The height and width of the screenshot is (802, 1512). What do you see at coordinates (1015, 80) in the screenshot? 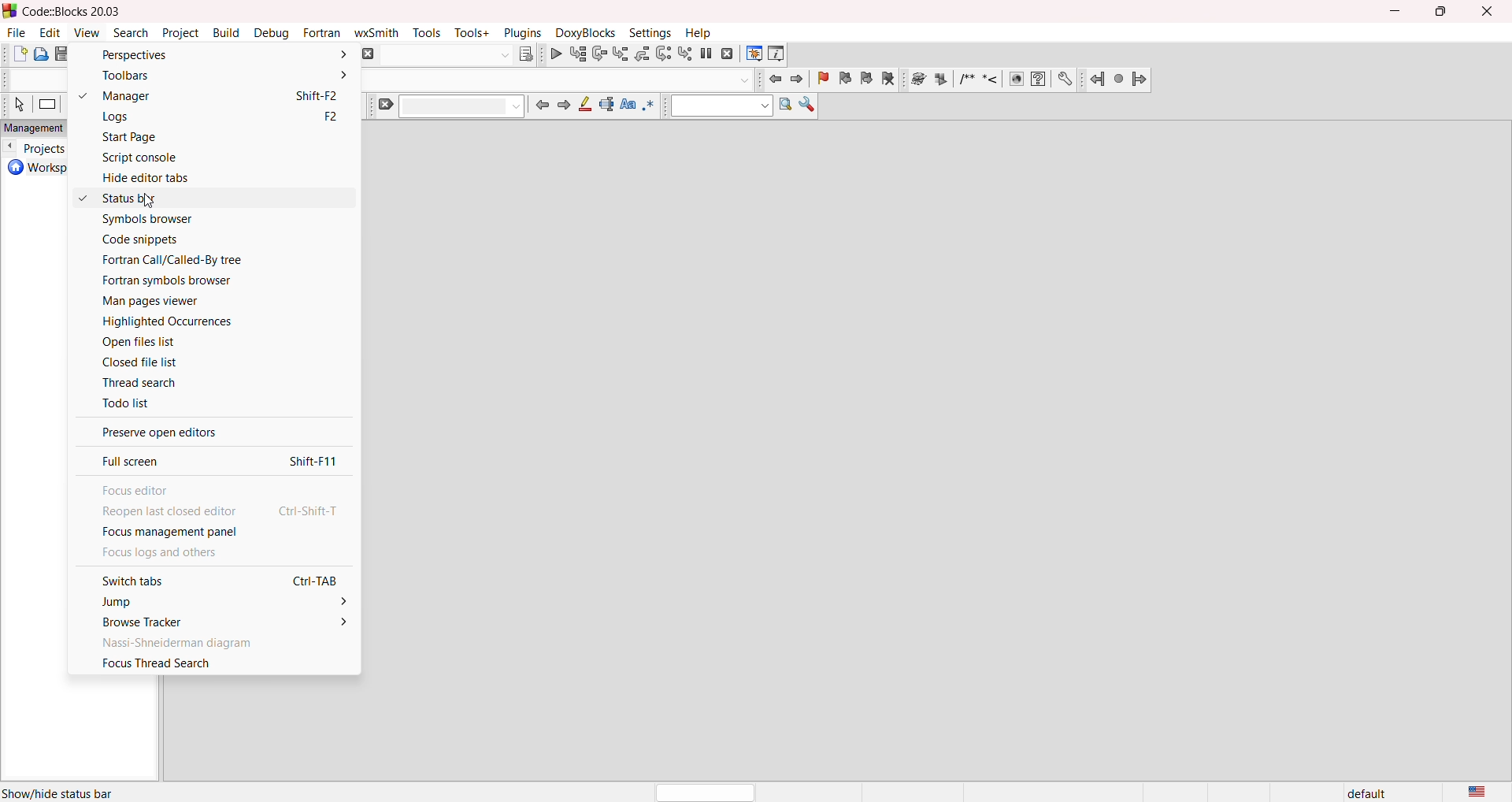
I see `HTML` at bounding box center [1015, 80].